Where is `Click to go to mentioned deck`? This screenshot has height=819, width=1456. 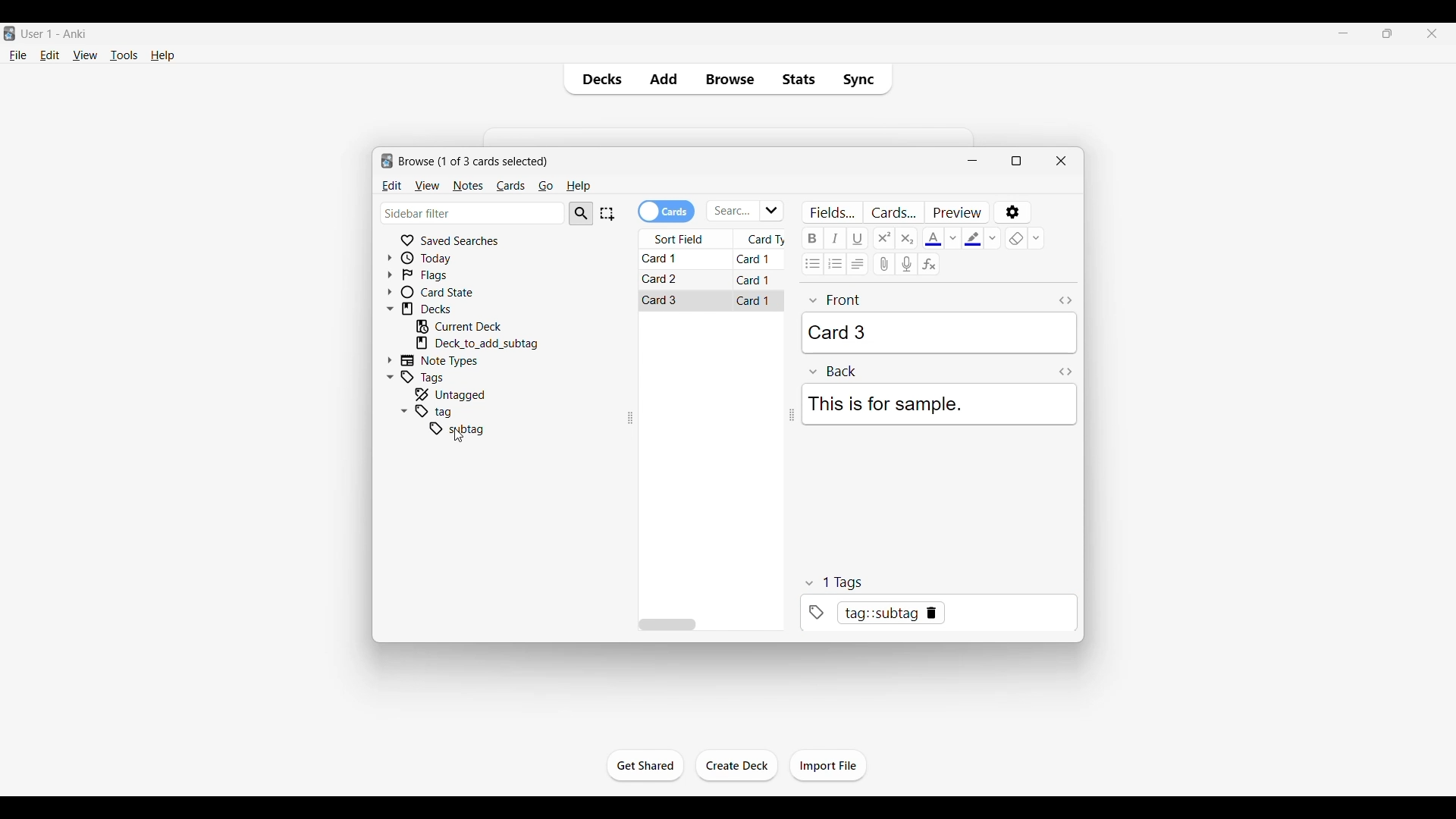 Click to go to mentioned deck is located at coordinates (476, 344).